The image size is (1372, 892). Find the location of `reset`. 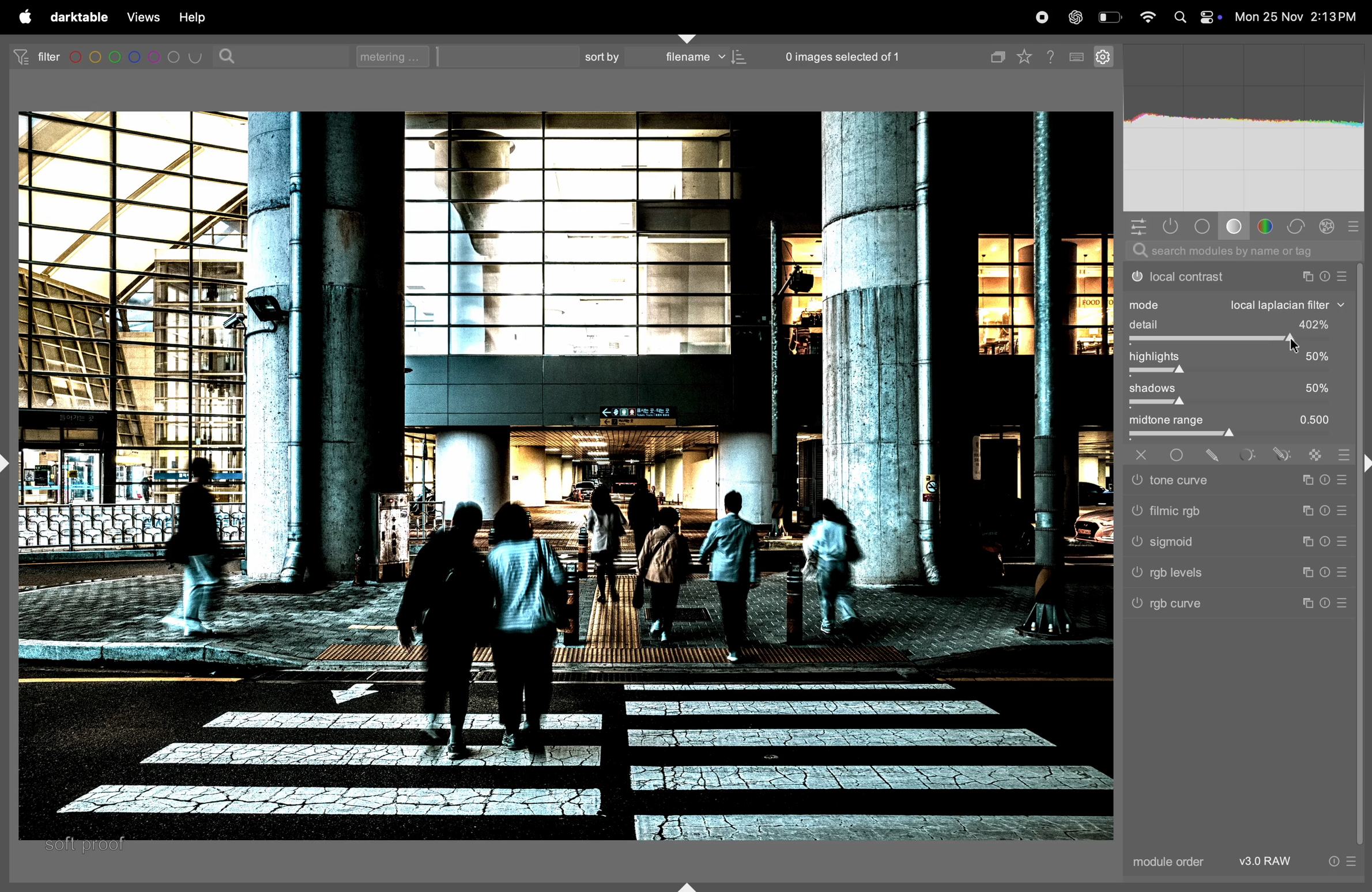

reset is located at coordinates (1326, 509).